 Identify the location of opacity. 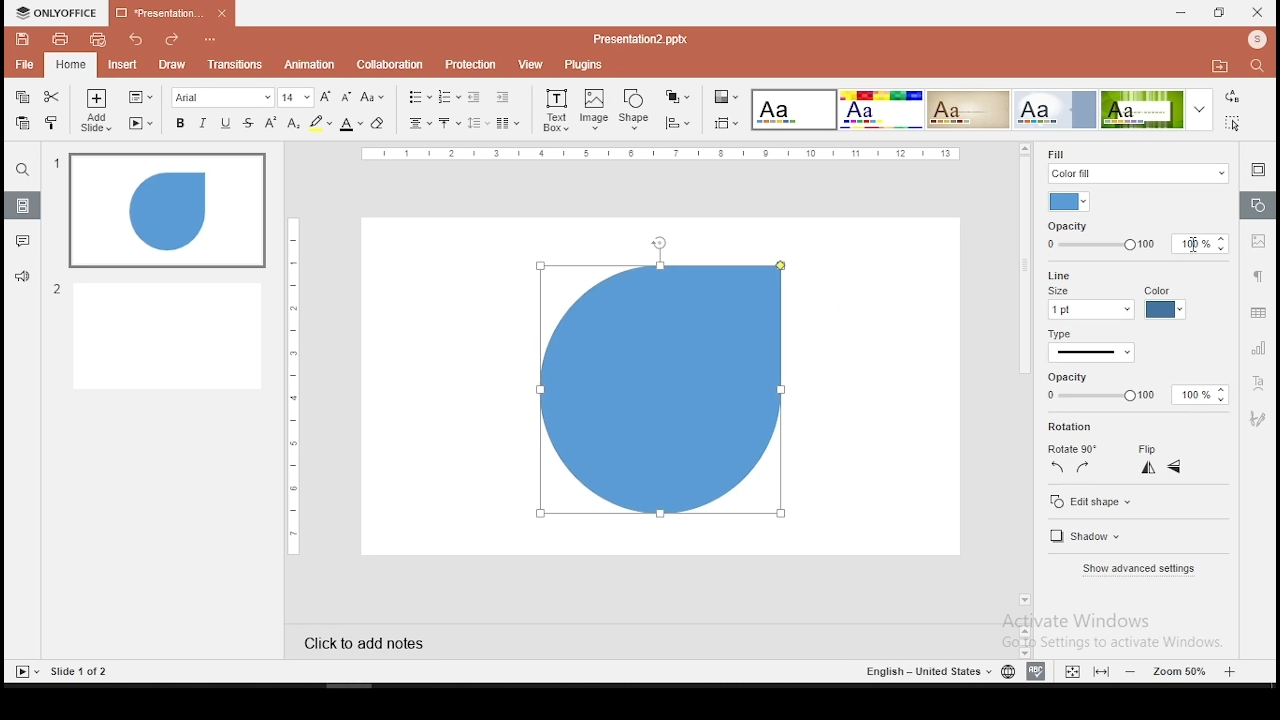
(1136, 237).